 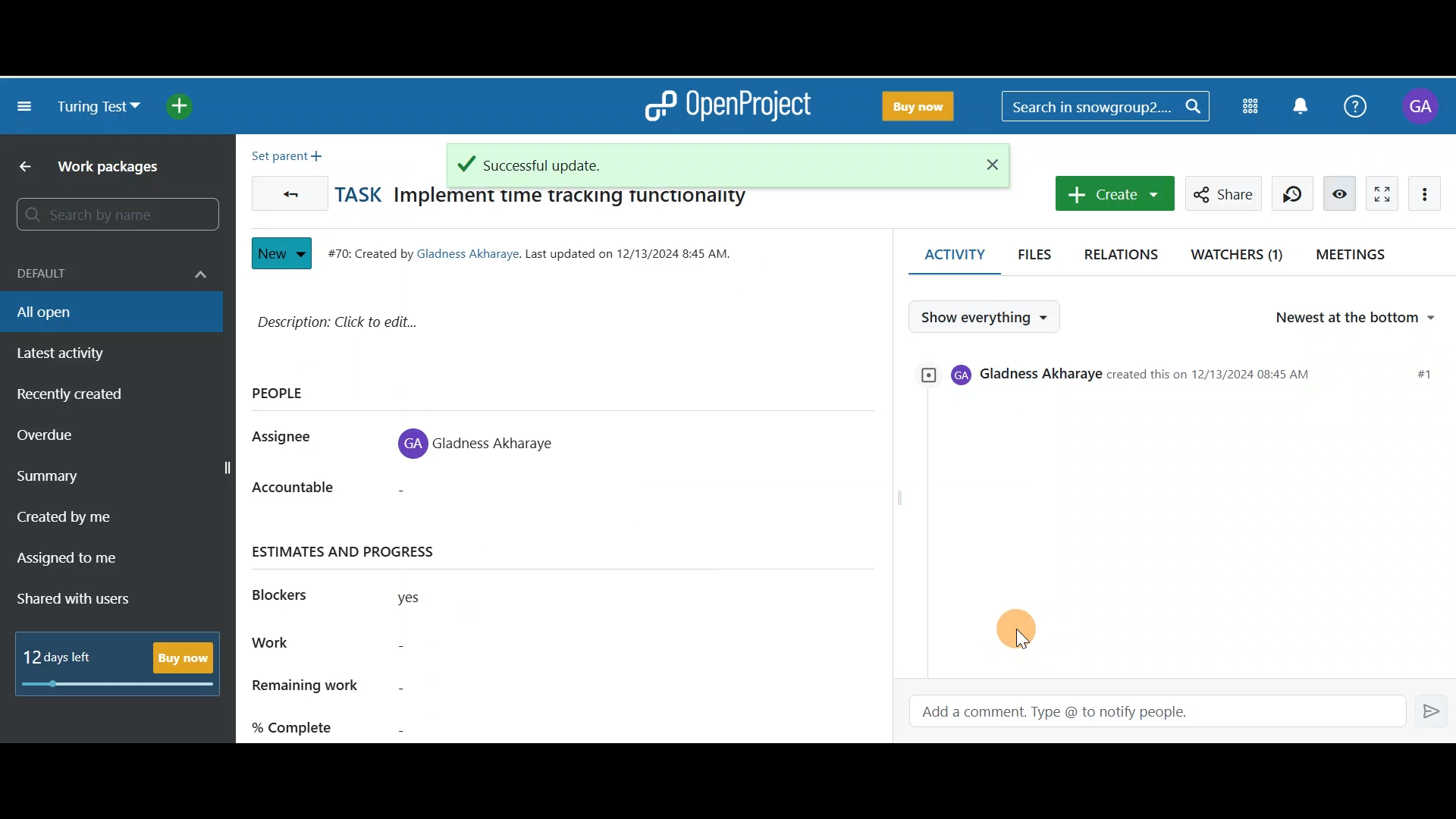 What do you see at coordinates (988, 164) in the screenshot?
I see `Clear` at bounding box center [988, 164].